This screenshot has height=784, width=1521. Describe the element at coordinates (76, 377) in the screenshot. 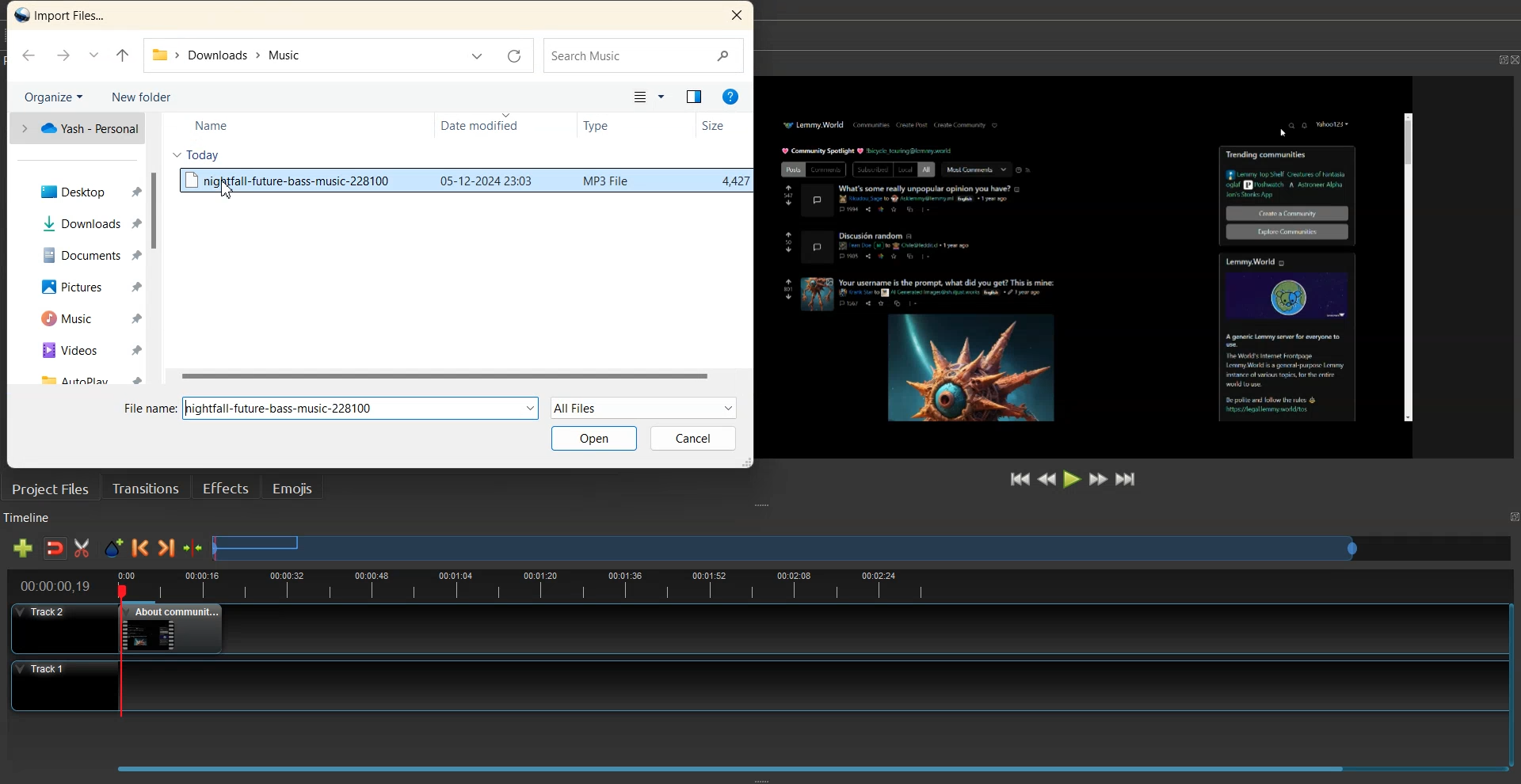

I see `AutoPlay` at that location.